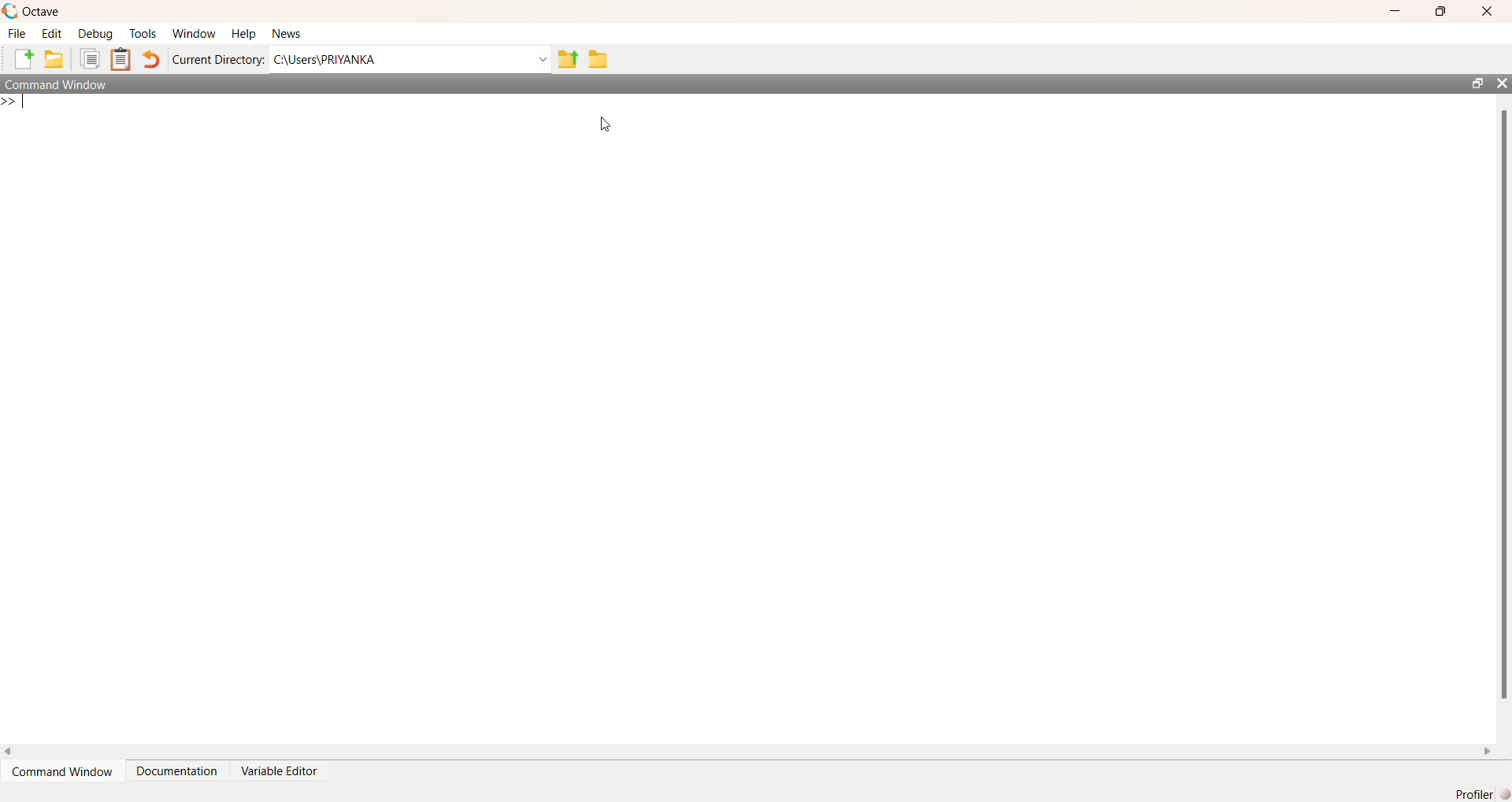  I want to click on clipboard, so click(90, 58).